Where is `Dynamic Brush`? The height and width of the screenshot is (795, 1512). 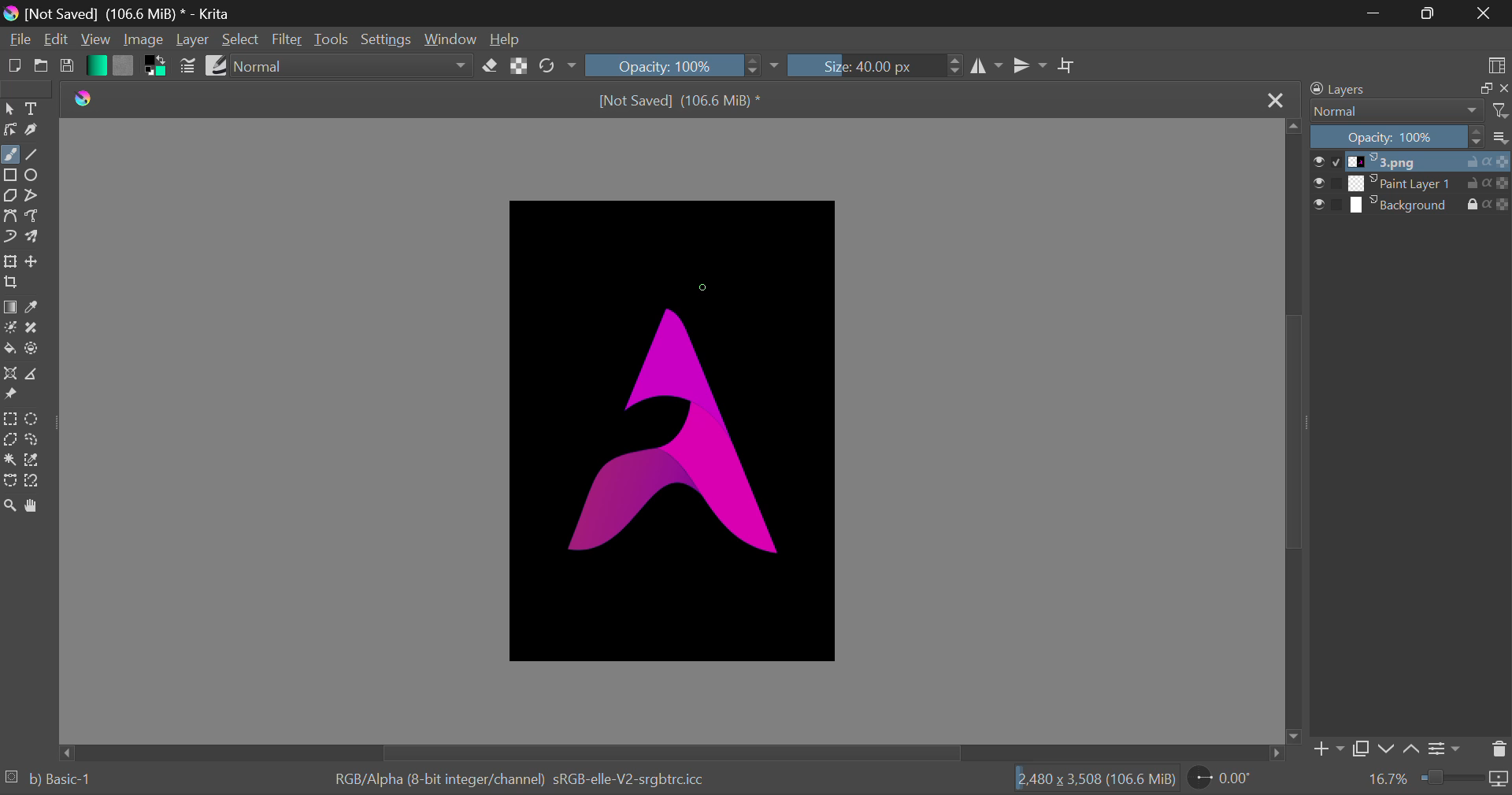
Dynamic Brush is located at coordinates (10, 238).